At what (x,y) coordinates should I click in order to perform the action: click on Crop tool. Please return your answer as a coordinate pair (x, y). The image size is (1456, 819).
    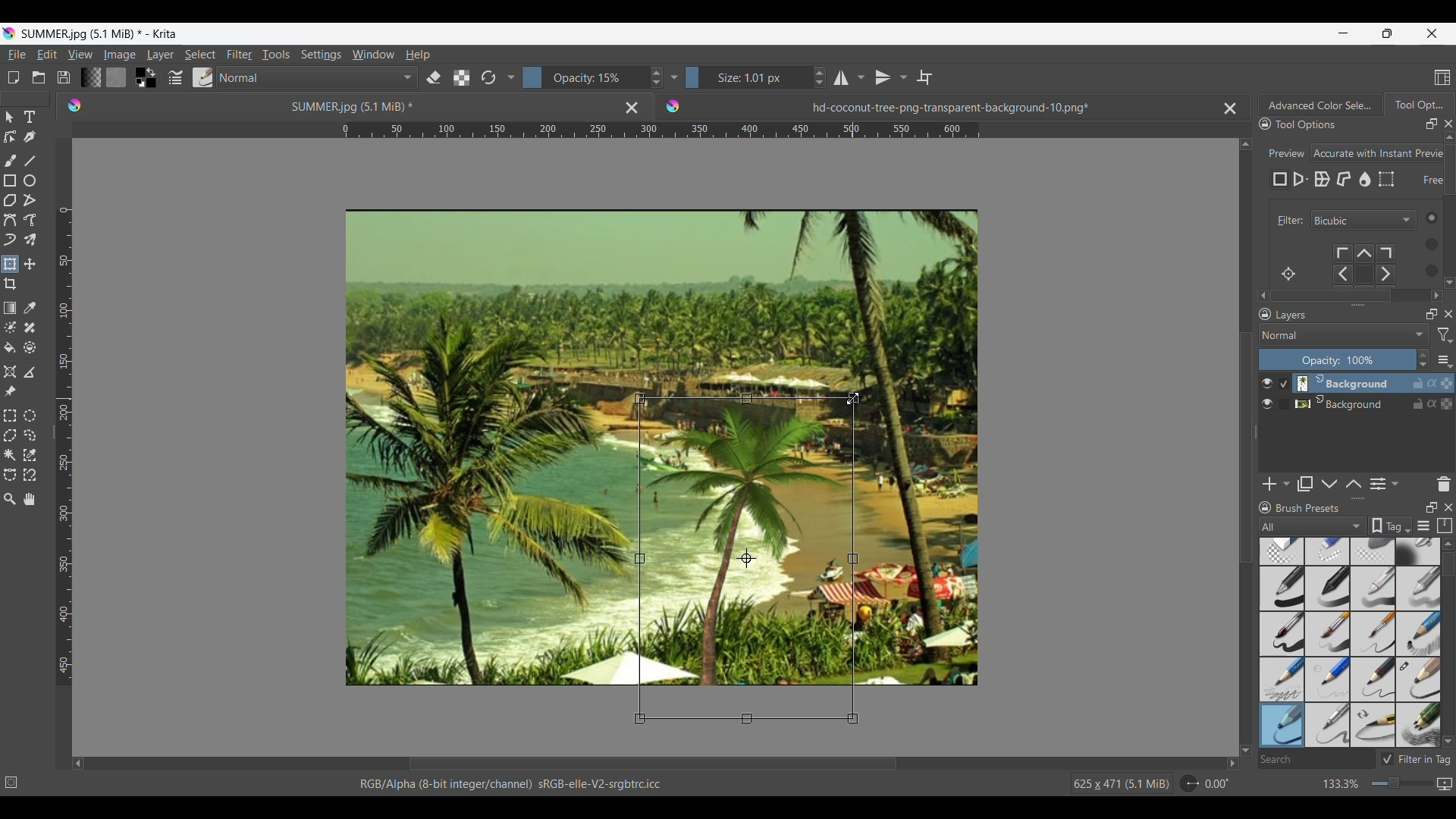
    Looking at the image, I should click on (10, 284).